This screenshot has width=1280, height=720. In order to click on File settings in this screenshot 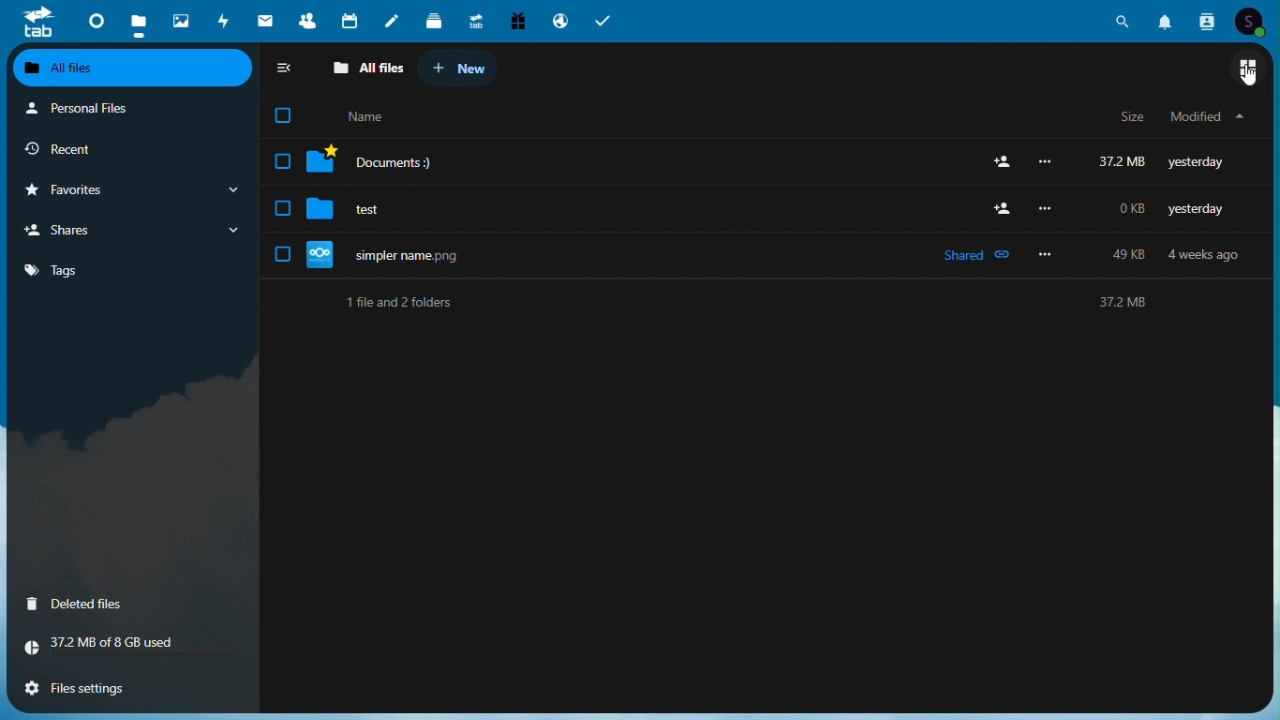, I will do `click(80, 688)`.